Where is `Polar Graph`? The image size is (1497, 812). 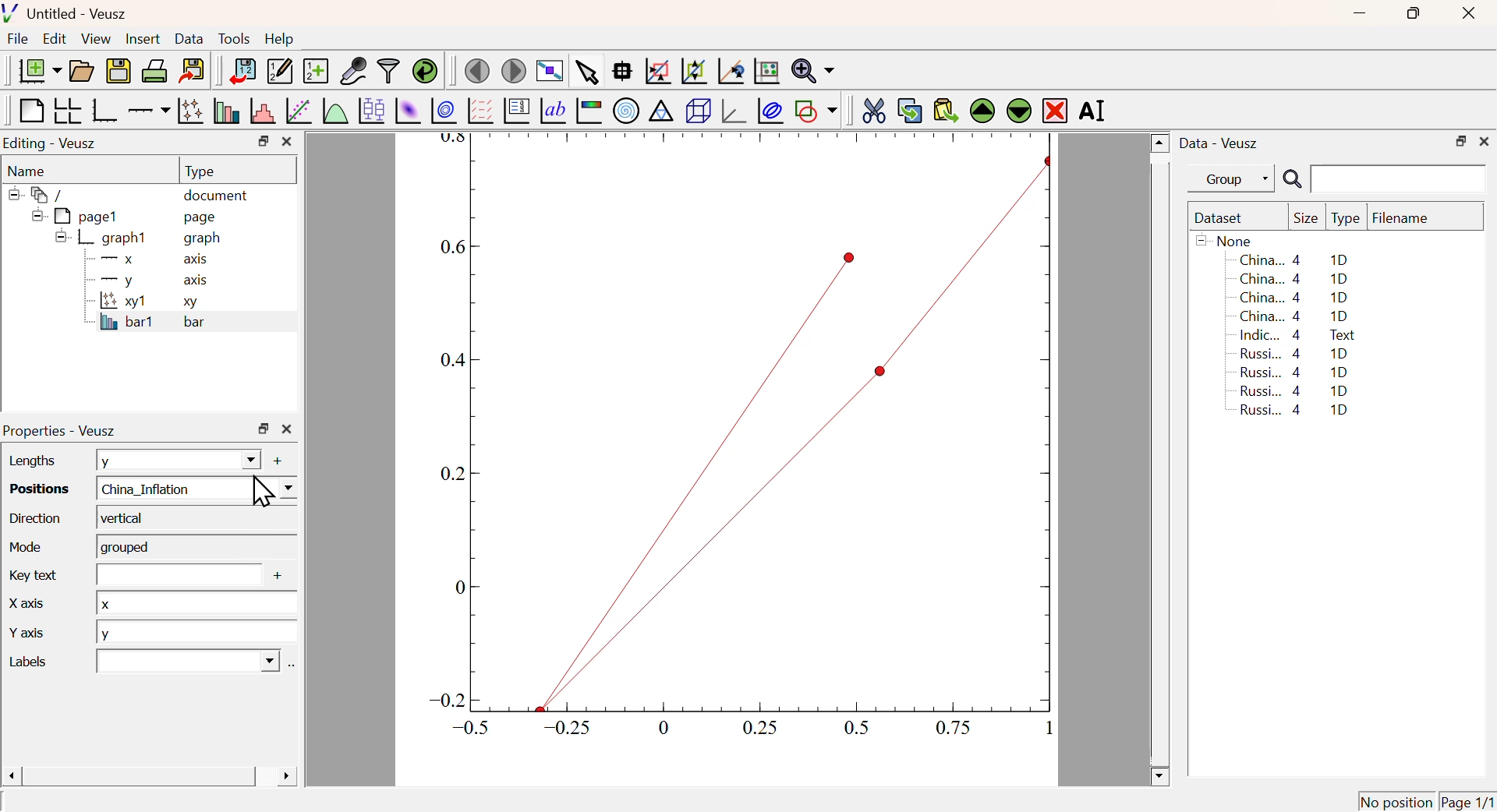
Polar Graph is located at coordinates (627, 110).